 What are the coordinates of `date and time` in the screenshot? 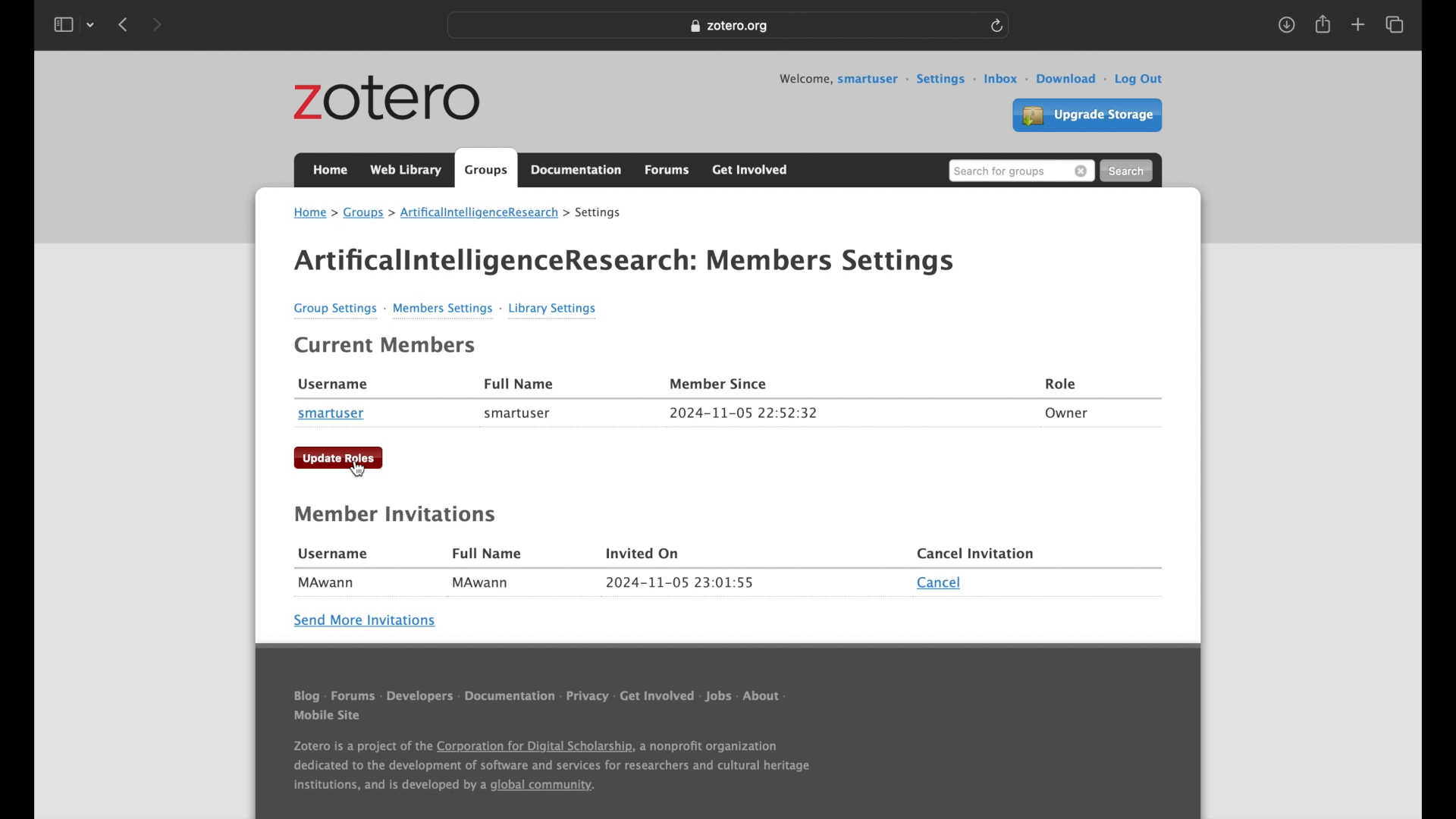 It's located at (682, 583).